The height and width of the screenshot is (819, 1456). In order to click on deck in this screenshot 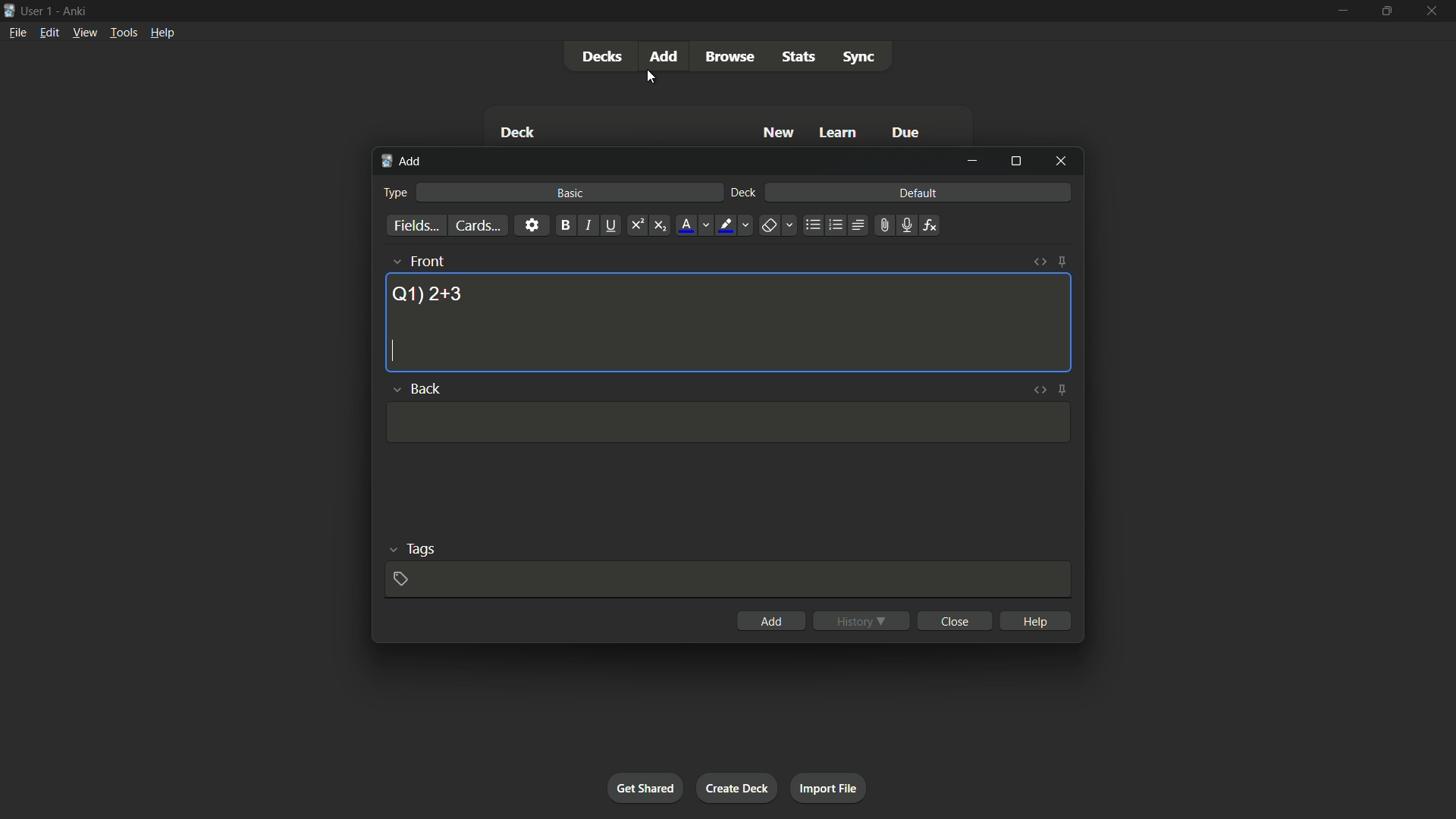, I will do `click(517, 134)`.